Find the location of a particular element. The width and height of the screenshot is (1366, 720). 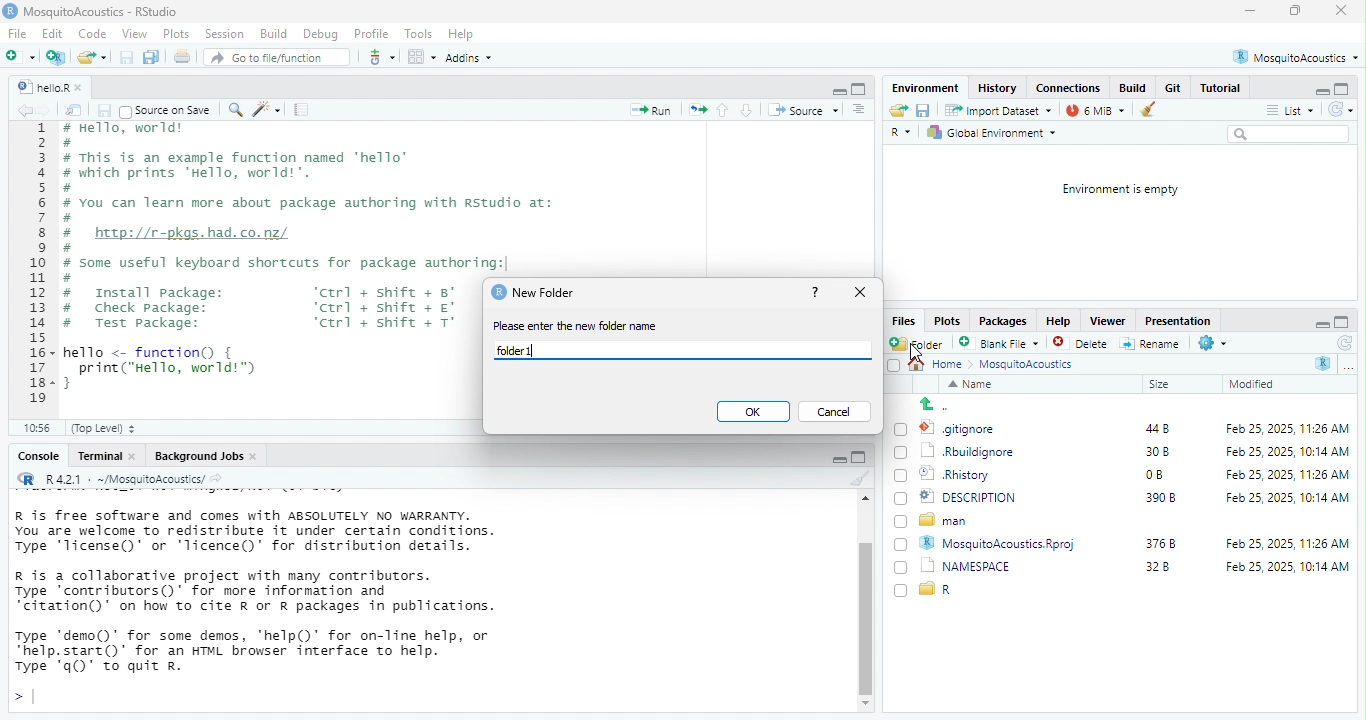

checkbox is located at coordinates (900, 478).